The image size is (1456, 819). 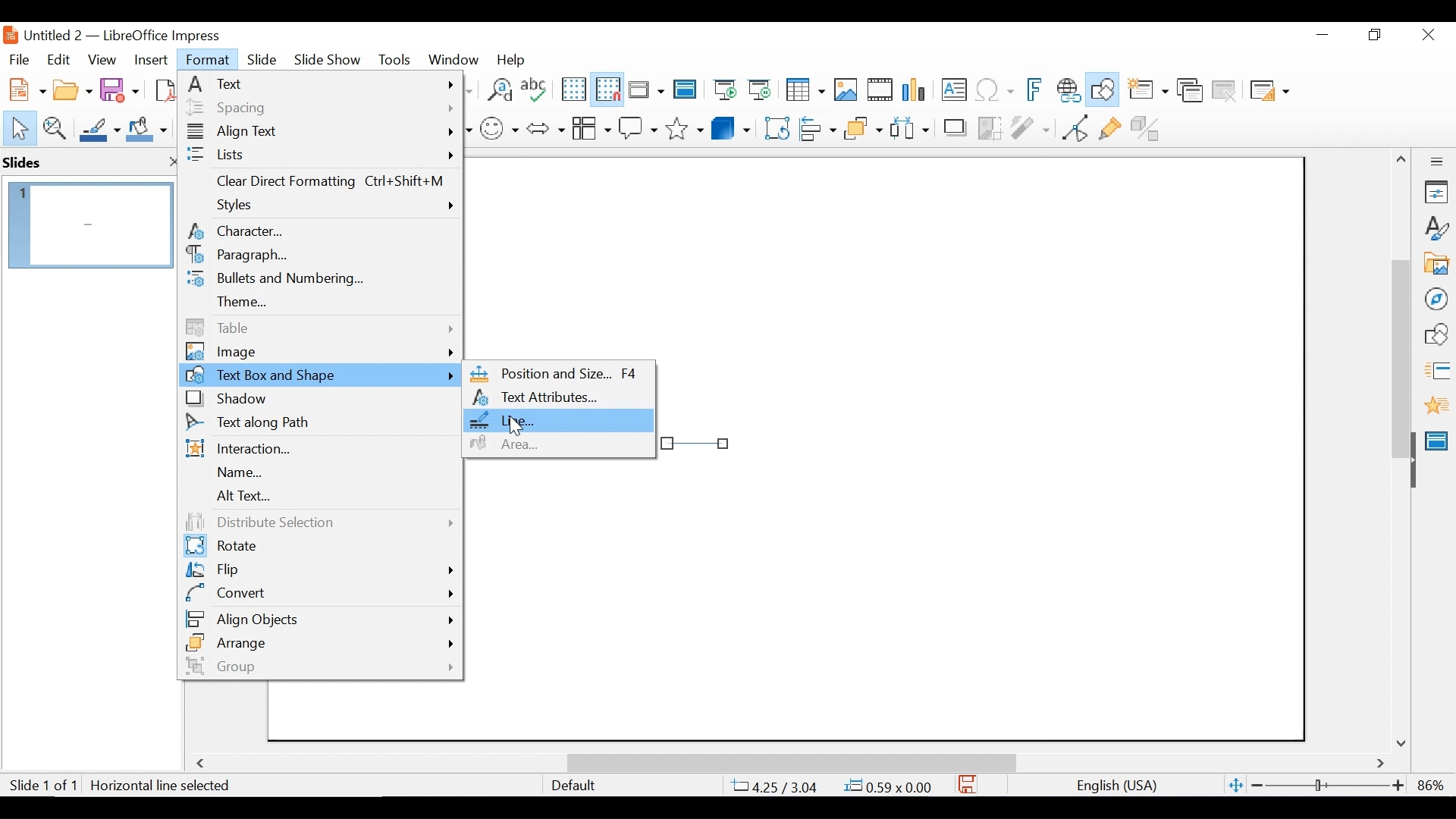 What do you see at coordinates (909, 127) in the screenshot?
I see `Select atleast three images to Distribute` at bounding box center [909, 127].